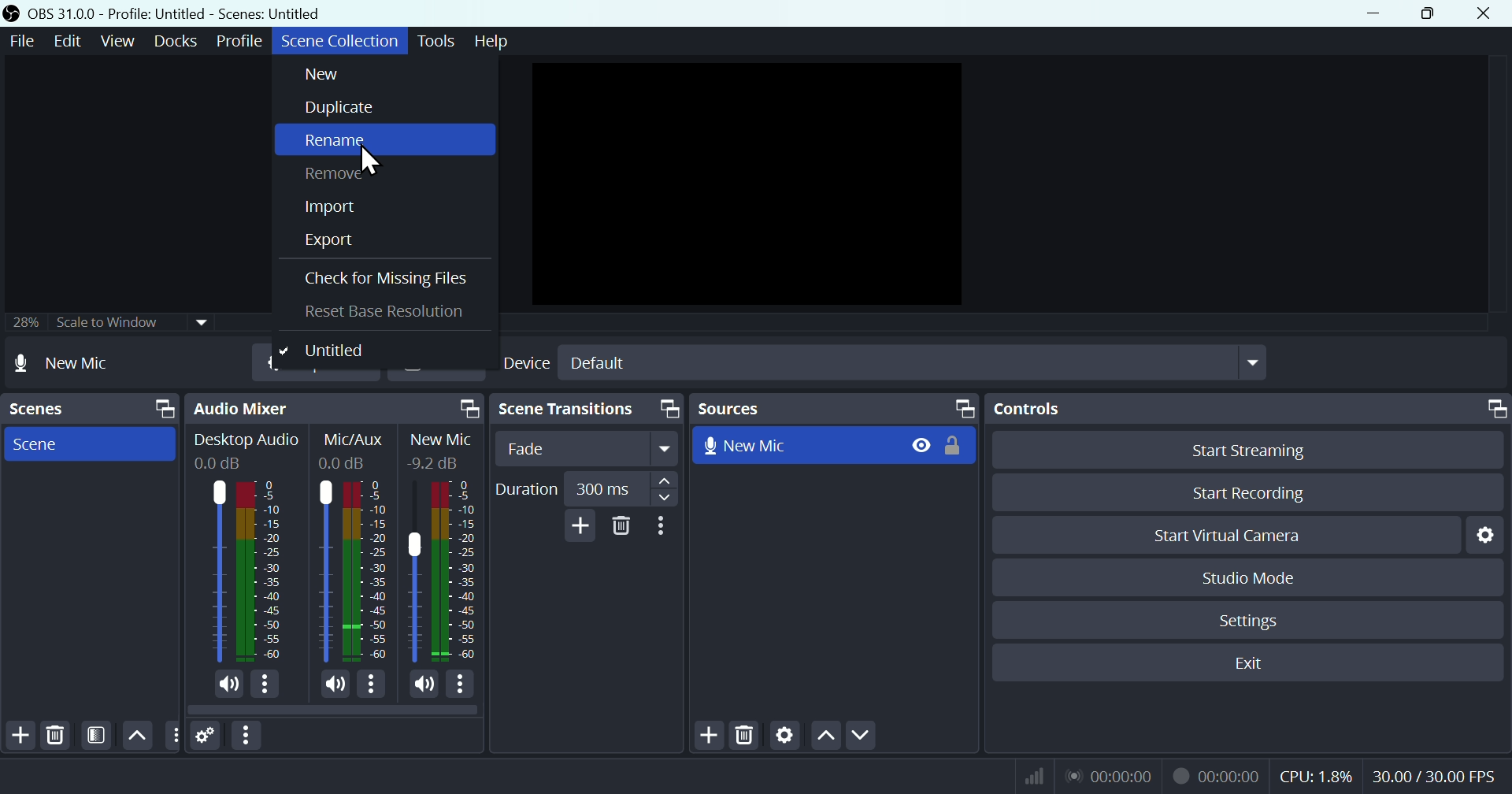  Describe the element at coordinates (18, 43) in the screenshot. I see `File ` at that location.